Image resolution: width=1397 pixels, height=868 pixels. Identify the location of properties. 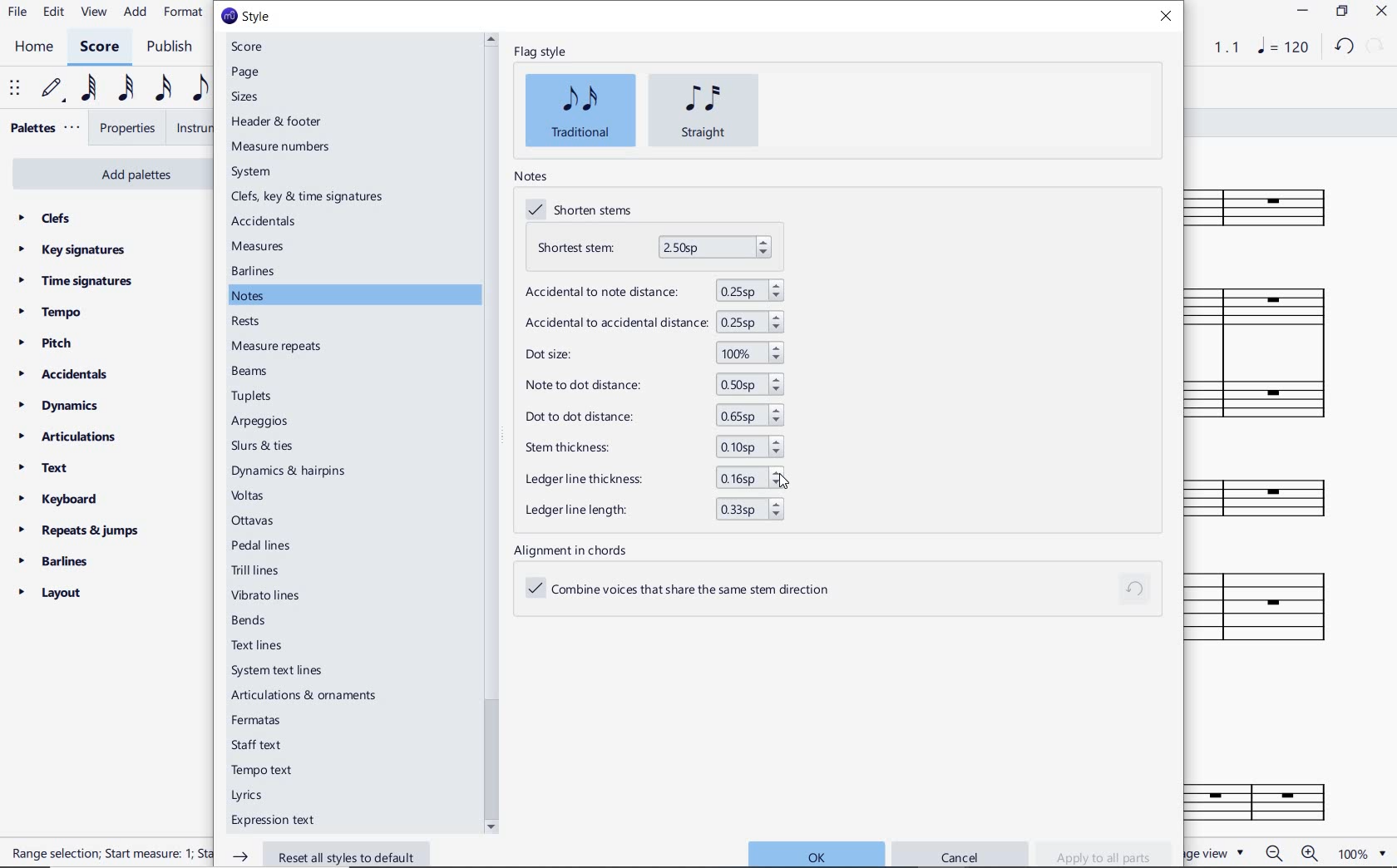
(129, 129).